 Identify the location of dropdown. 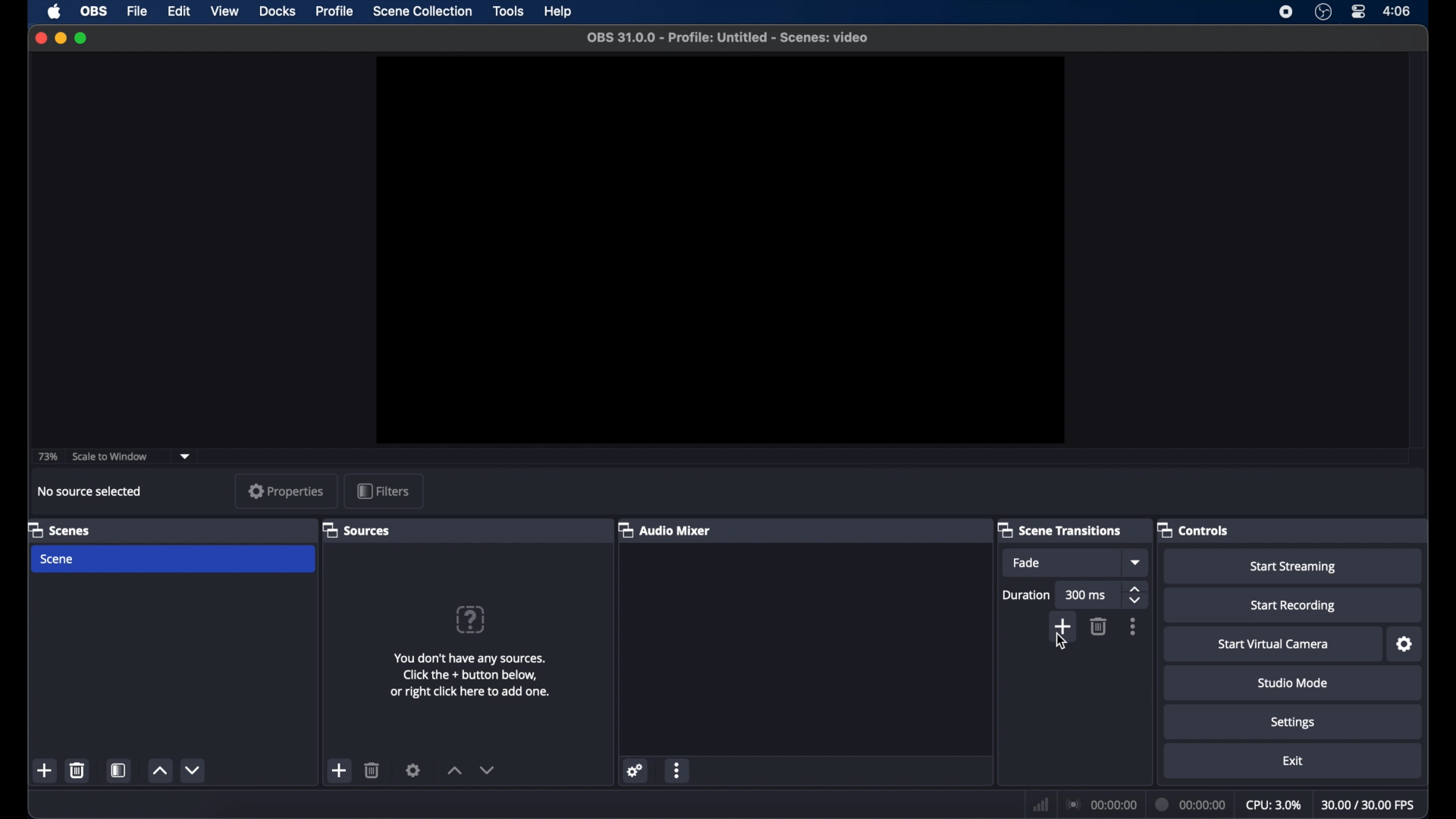
(187, 457).